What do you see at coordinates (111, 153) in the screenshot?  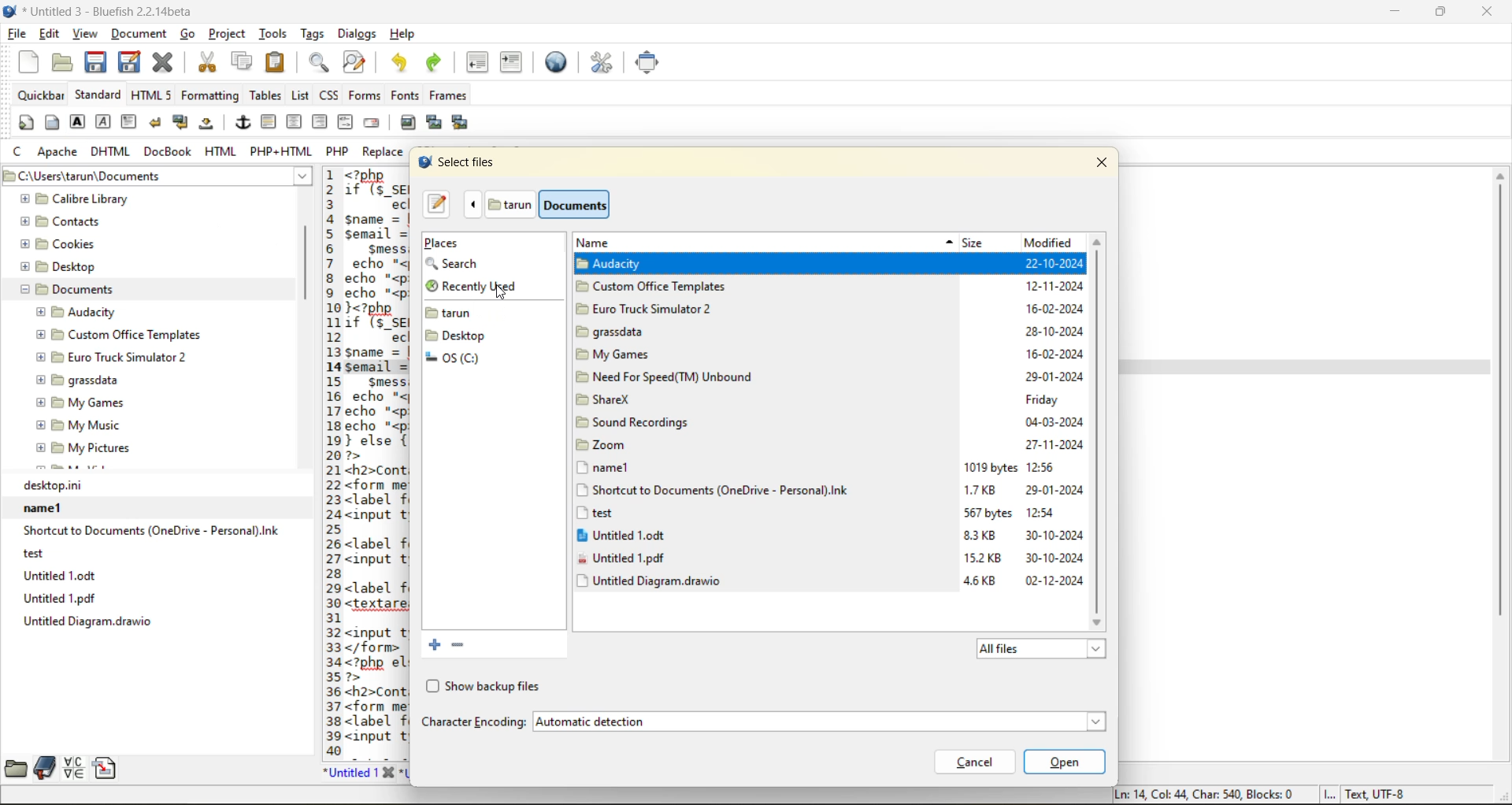 I see `dhtml` at bounding box center [111, 153].